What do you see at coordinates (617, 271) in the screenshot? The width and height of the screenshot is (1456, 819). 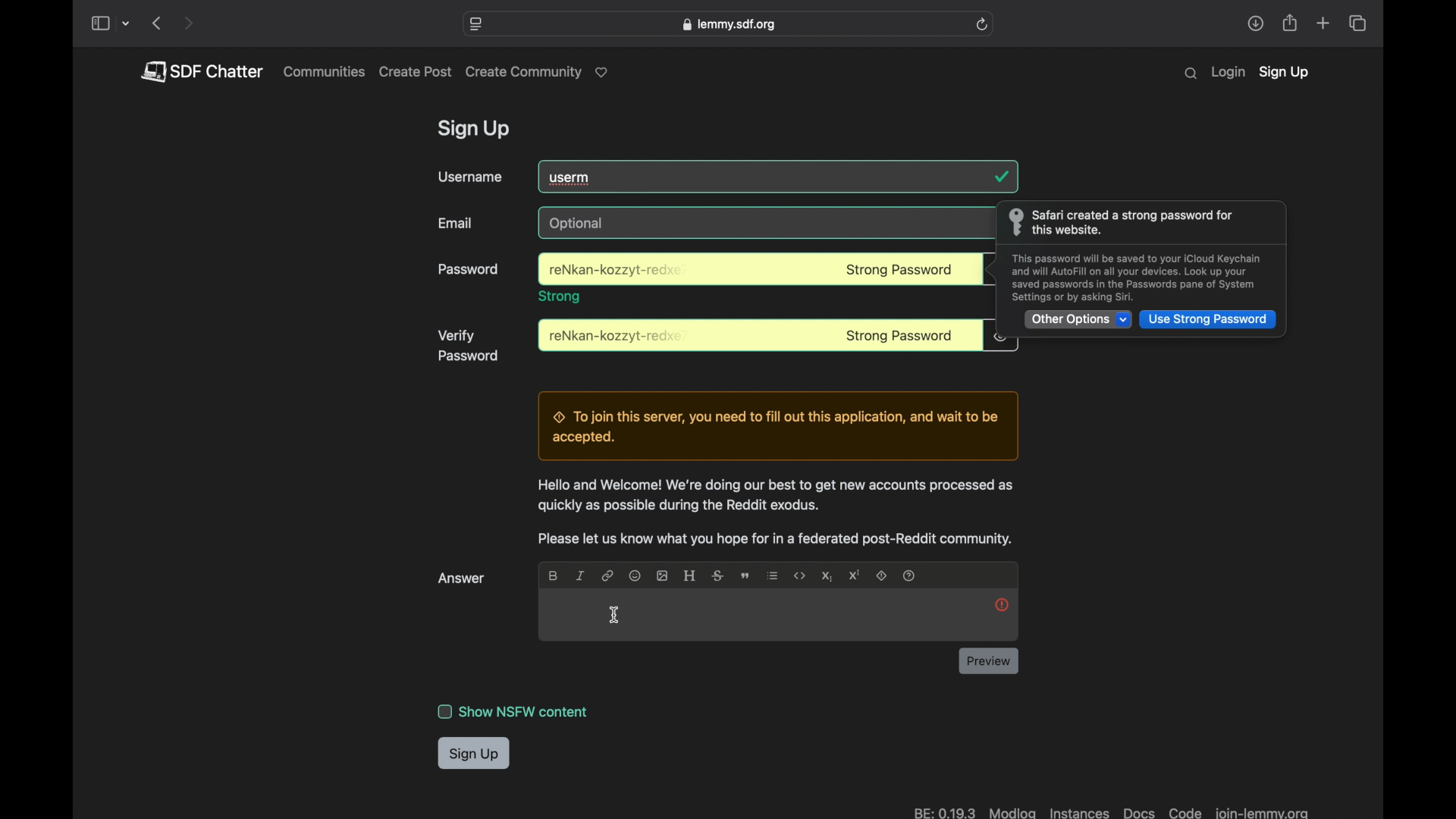 I see `password` at bounding box center [617, 271].